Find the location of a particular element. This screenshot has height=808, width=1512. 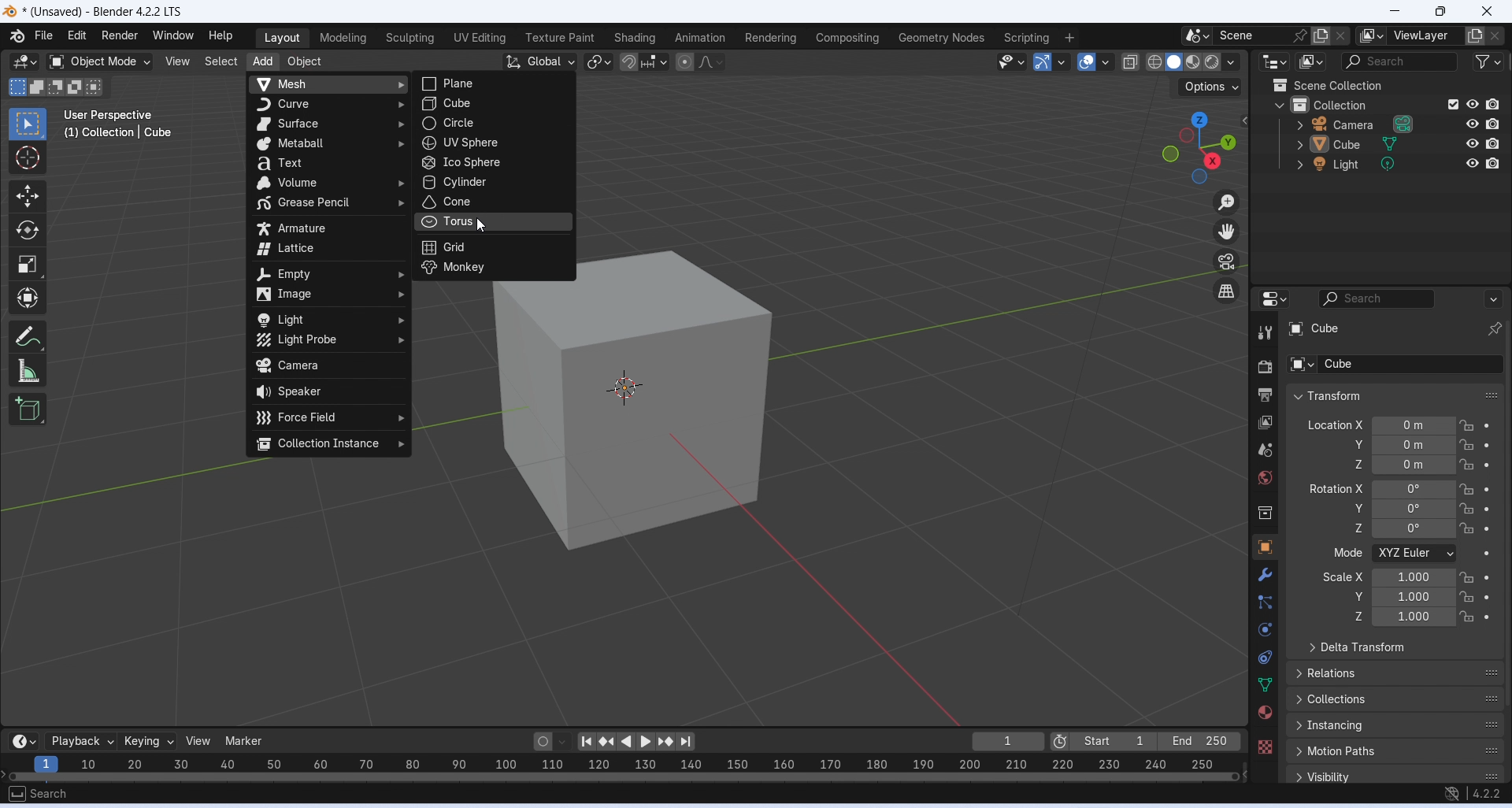

Playback is located at coordinates (79, 740).